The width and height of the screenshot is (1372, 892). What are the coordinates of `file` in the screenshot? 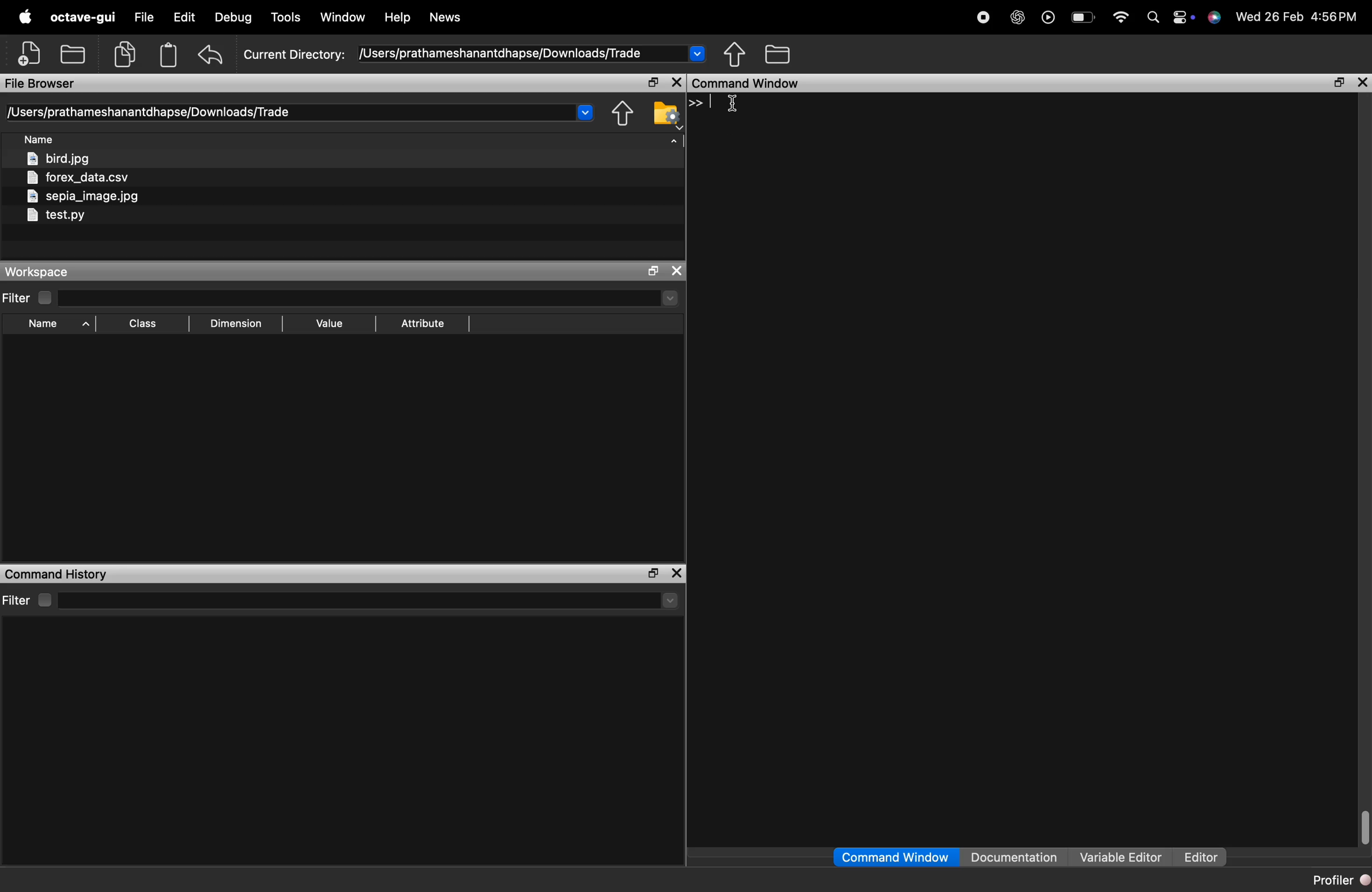 It's located at (144, 17).